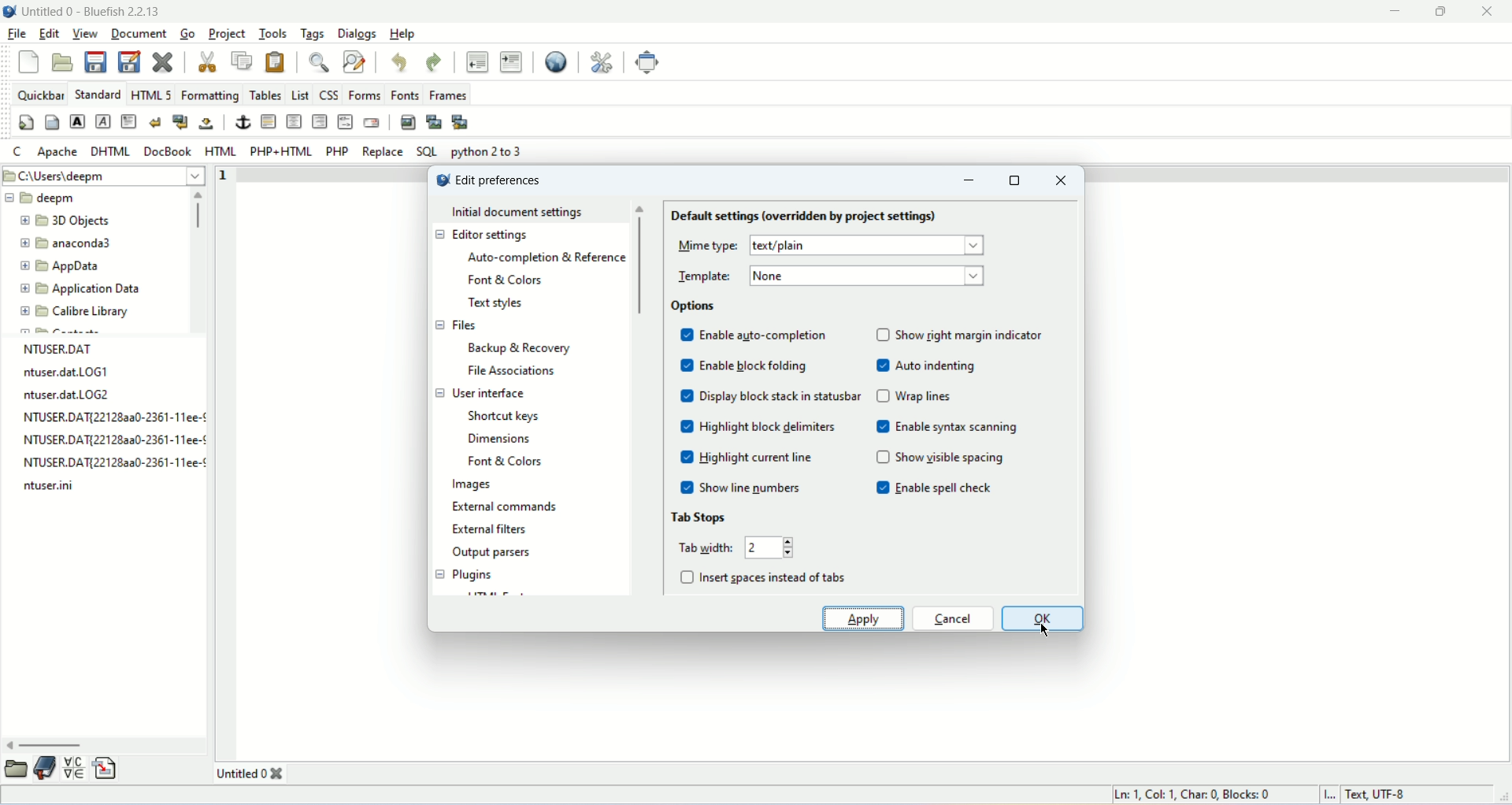 The height and width of the screenshot is (805, 1512). I want to click on output, so click(493, 555).